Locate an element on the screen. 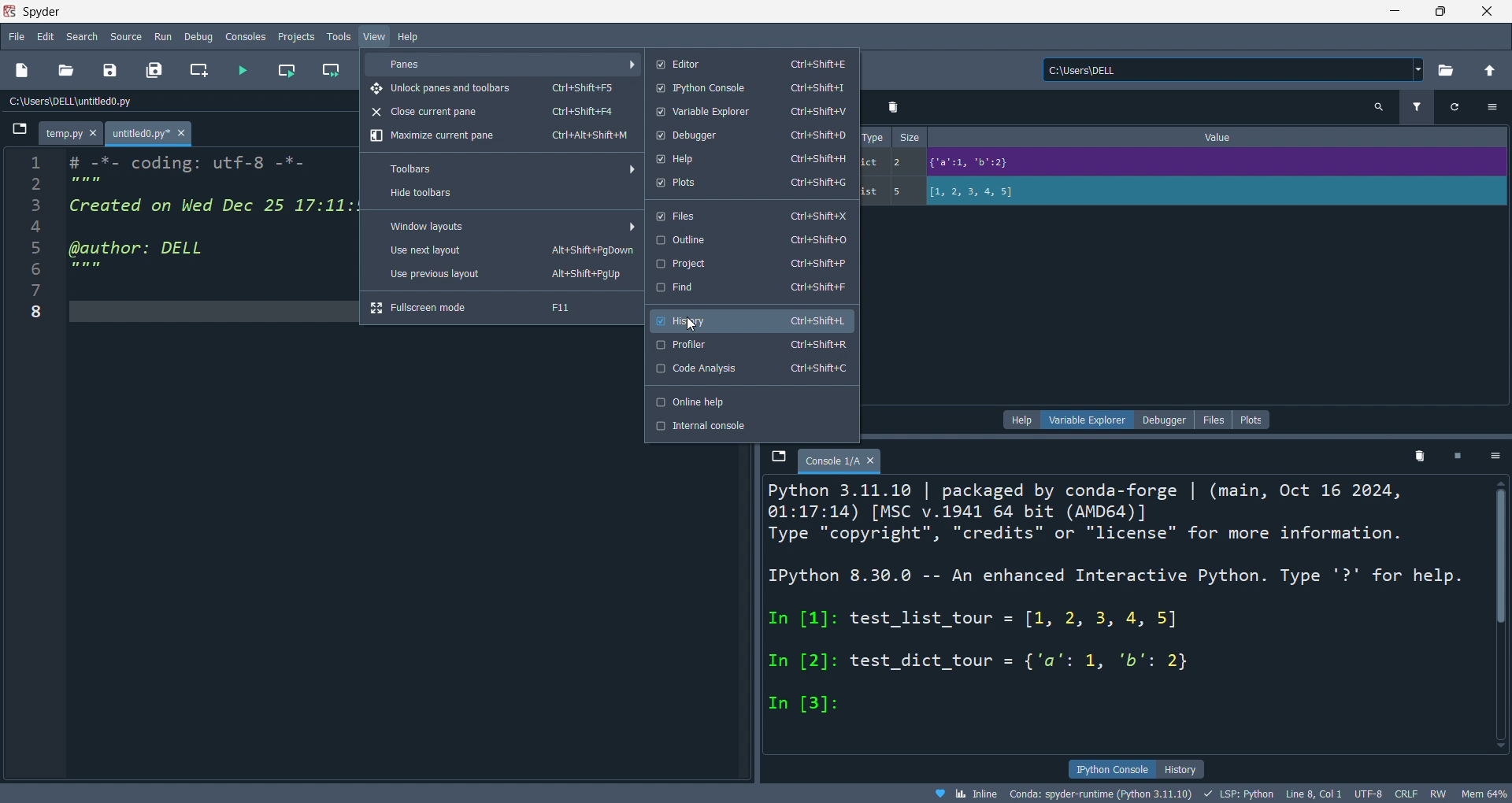 The height and width of the screenshot is (803, 1512). current directory is located at coordinates (1233, 71).